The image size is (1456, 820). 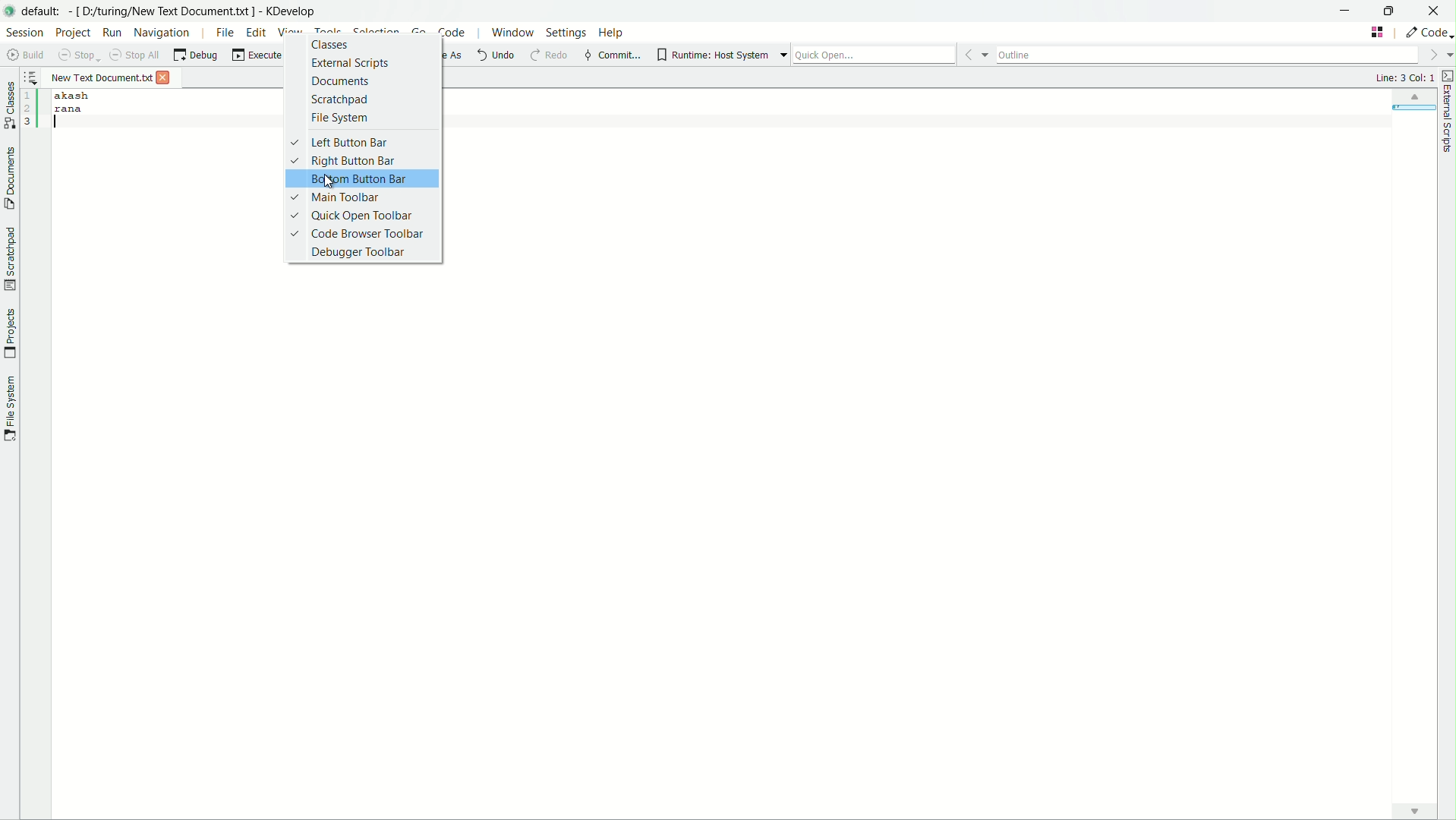 What do you see at coordinates (112, 33) in the screenshot?
I see `run menu` at bounding box center [112, 33].